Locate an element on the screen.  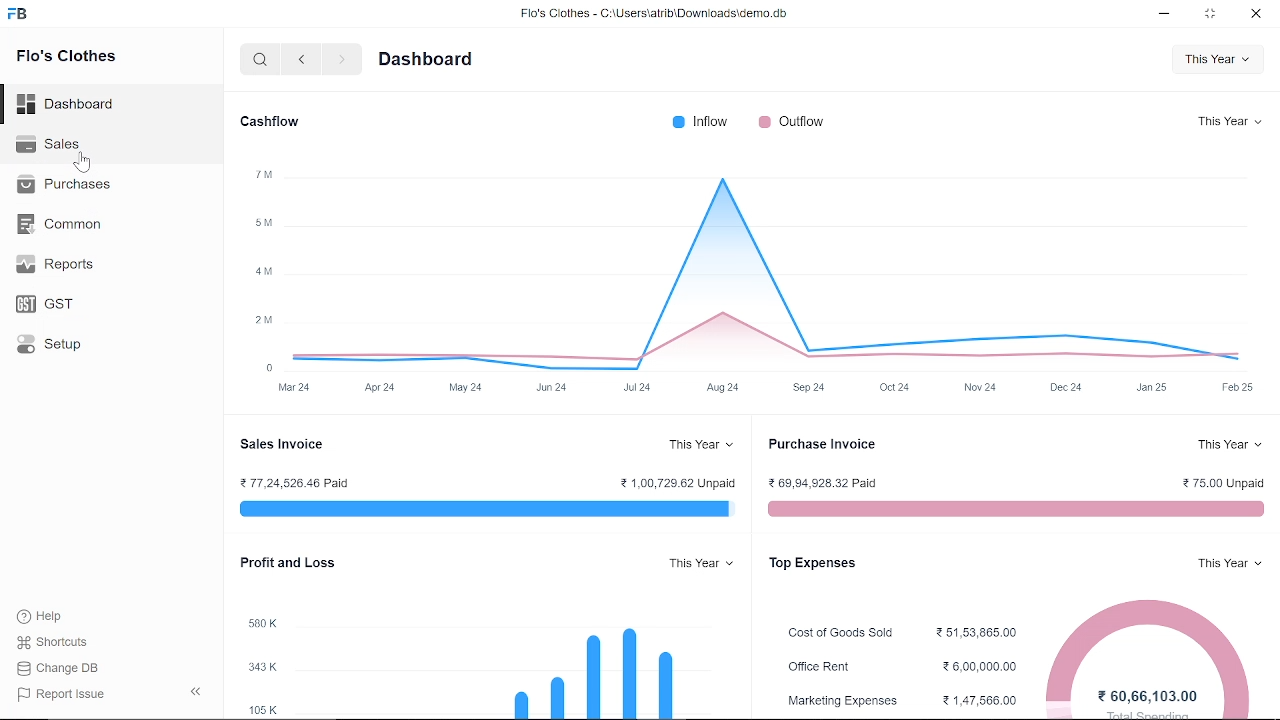
Help is located at coordinates (53, 616).